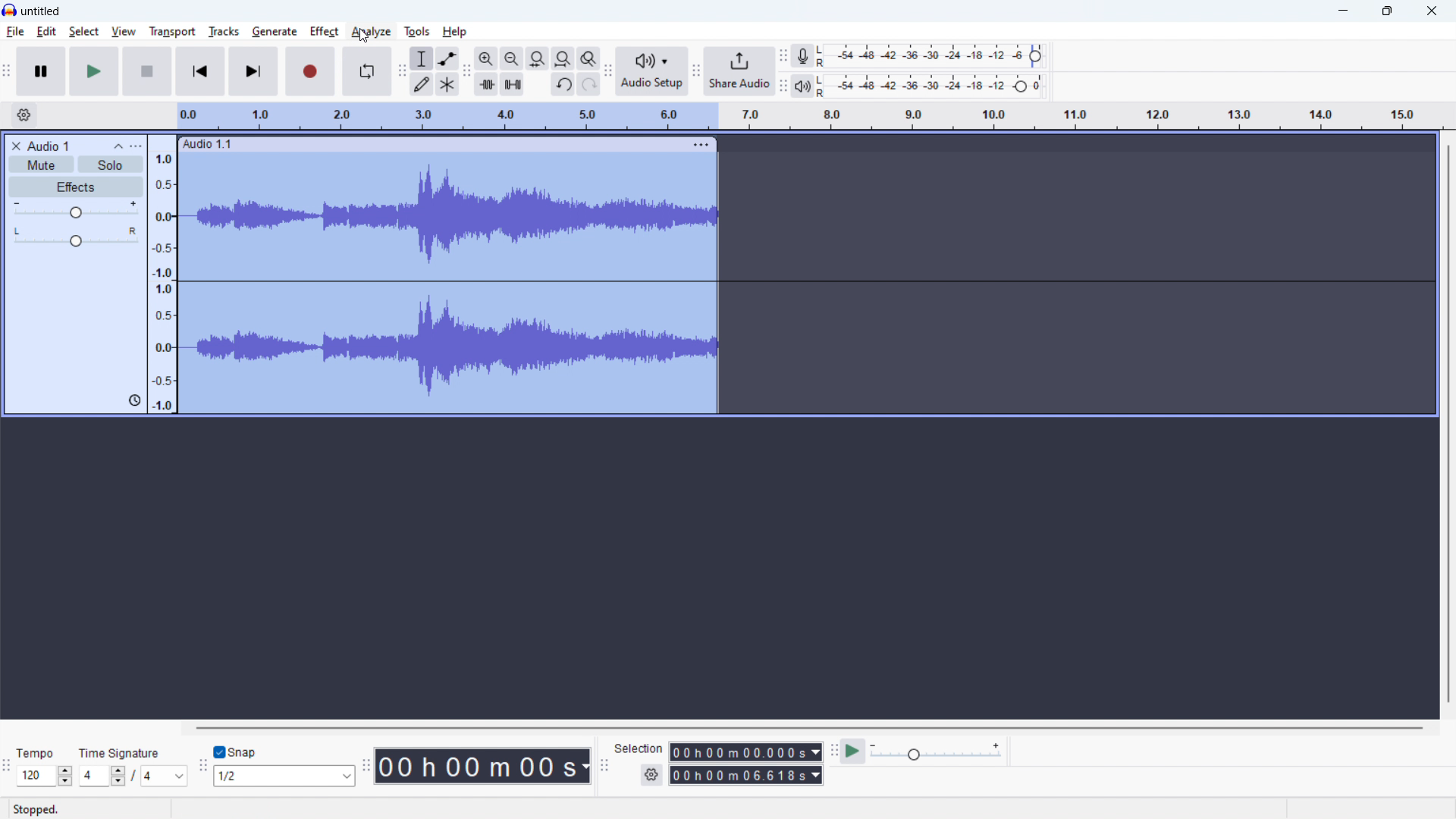 The image size is (1456, 819). I want to click on silence audio selection, so click(513, 83).